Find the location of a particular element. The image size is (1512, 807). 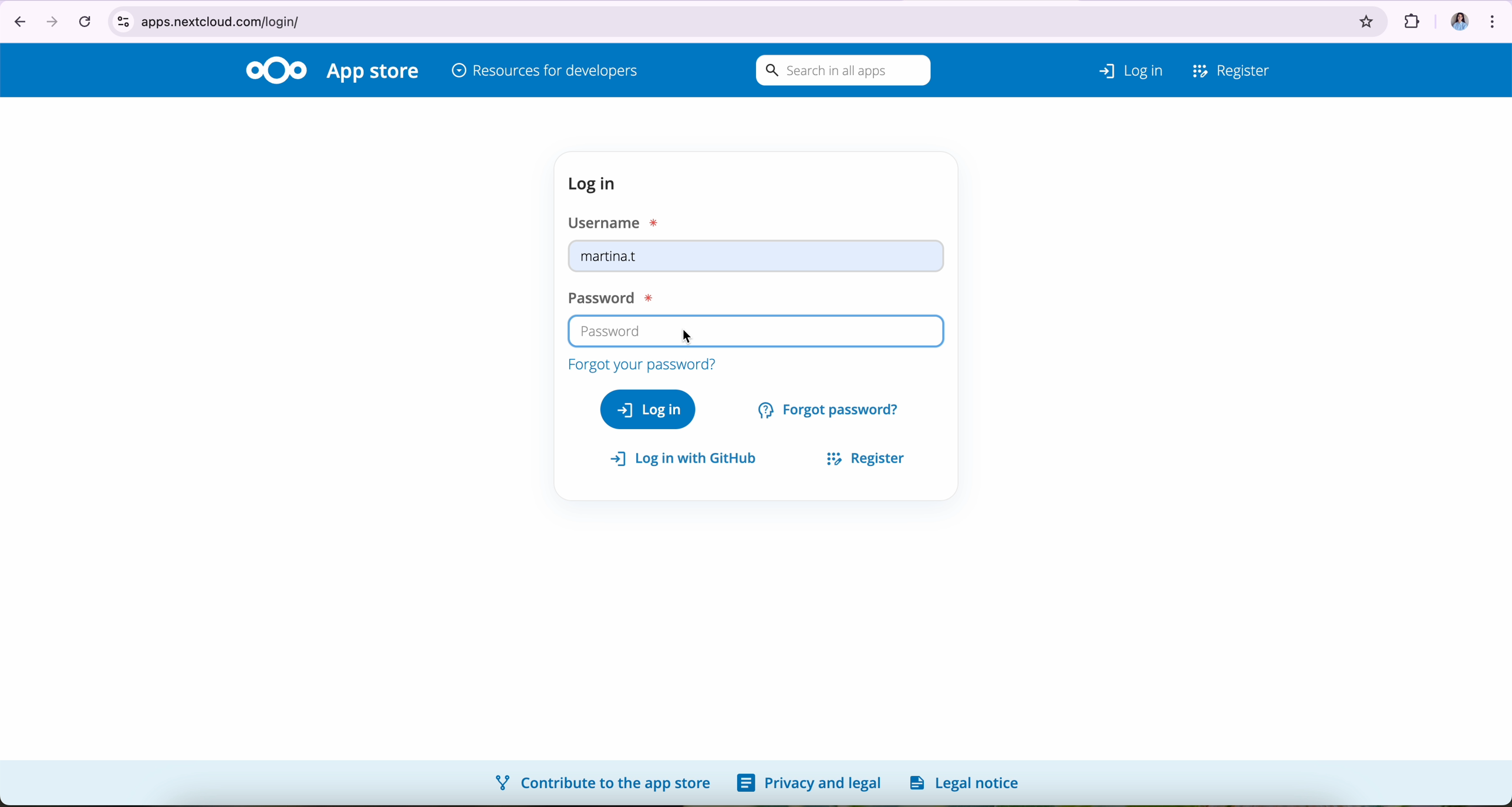

log in  is located at coordinates (648, 408).